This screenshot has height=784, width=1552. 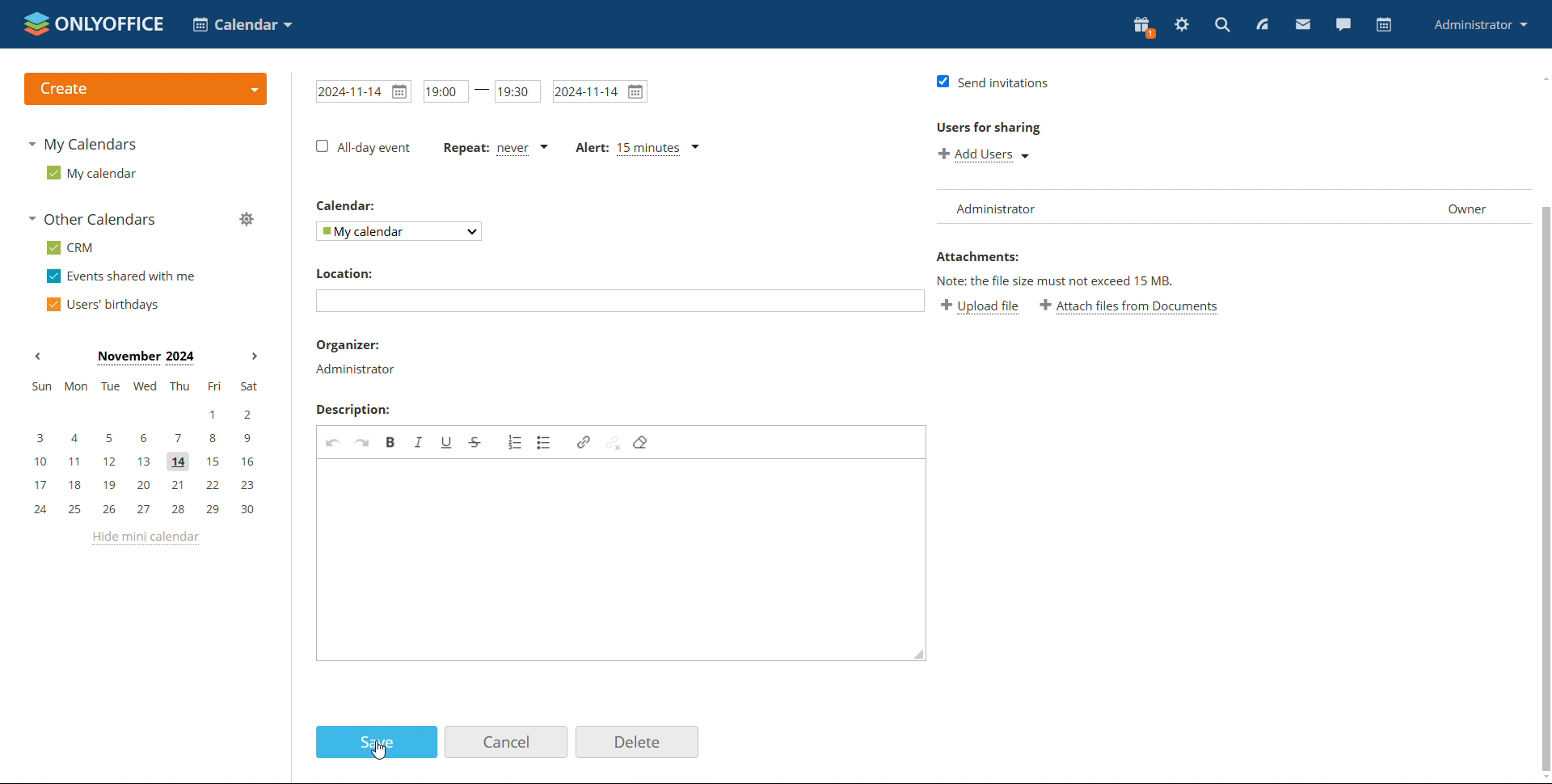 I want to click on next month, so click(x=255, y=357).